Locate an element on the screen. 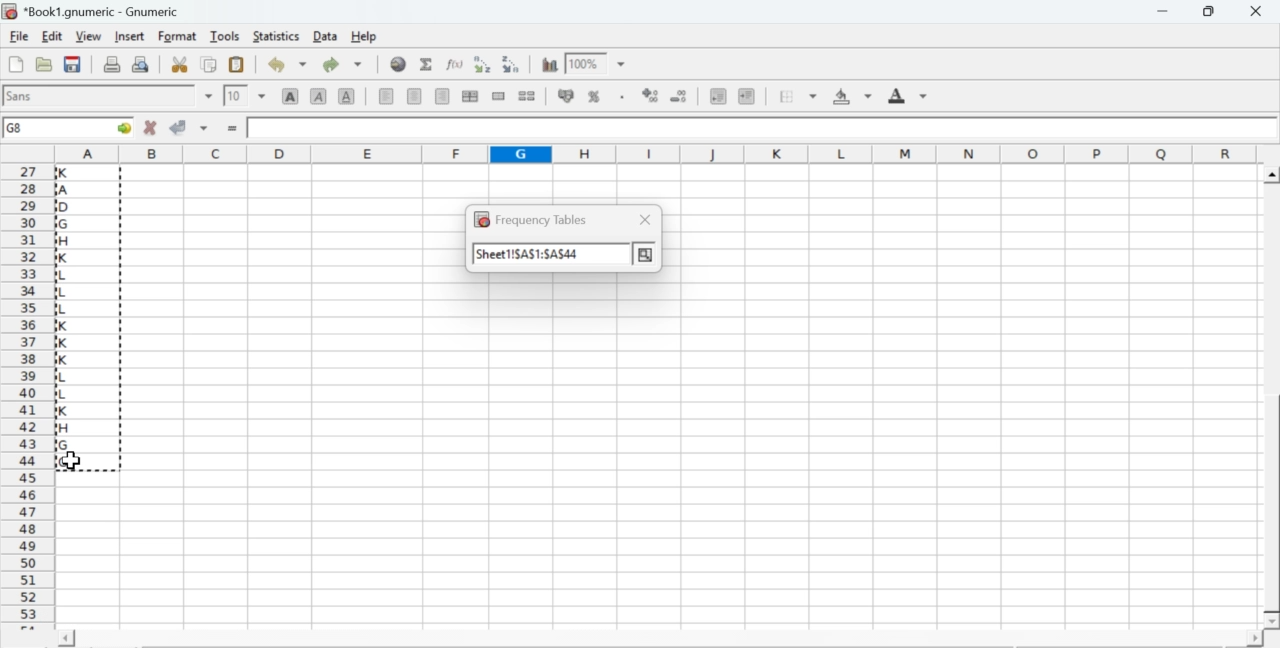 The width and height of the screenshot is (1280, 648). increase indent is located at coordinates (746, 97).